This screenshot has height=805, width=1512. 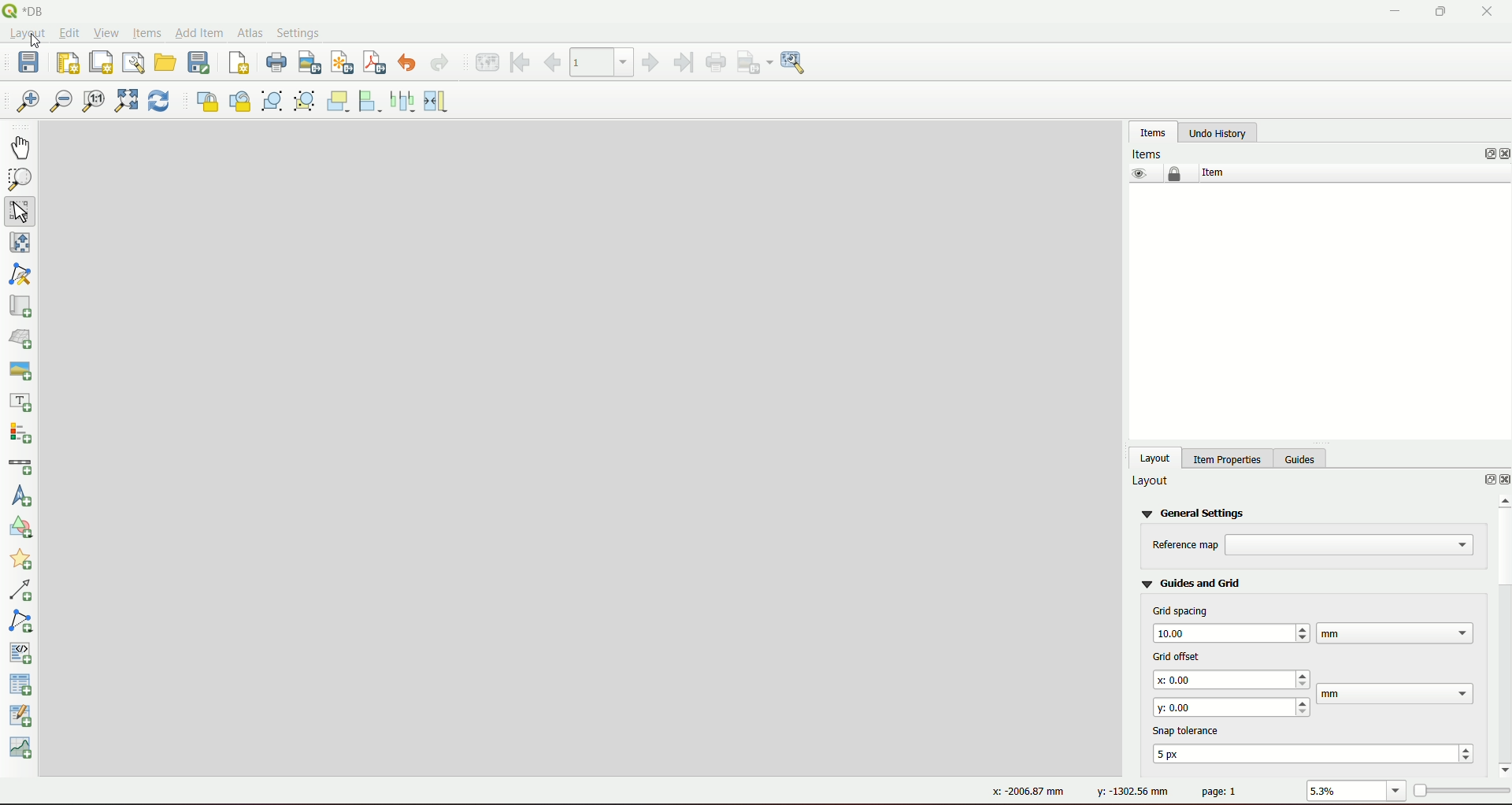 I want to click on refresh view, so click(x=159, y=102).